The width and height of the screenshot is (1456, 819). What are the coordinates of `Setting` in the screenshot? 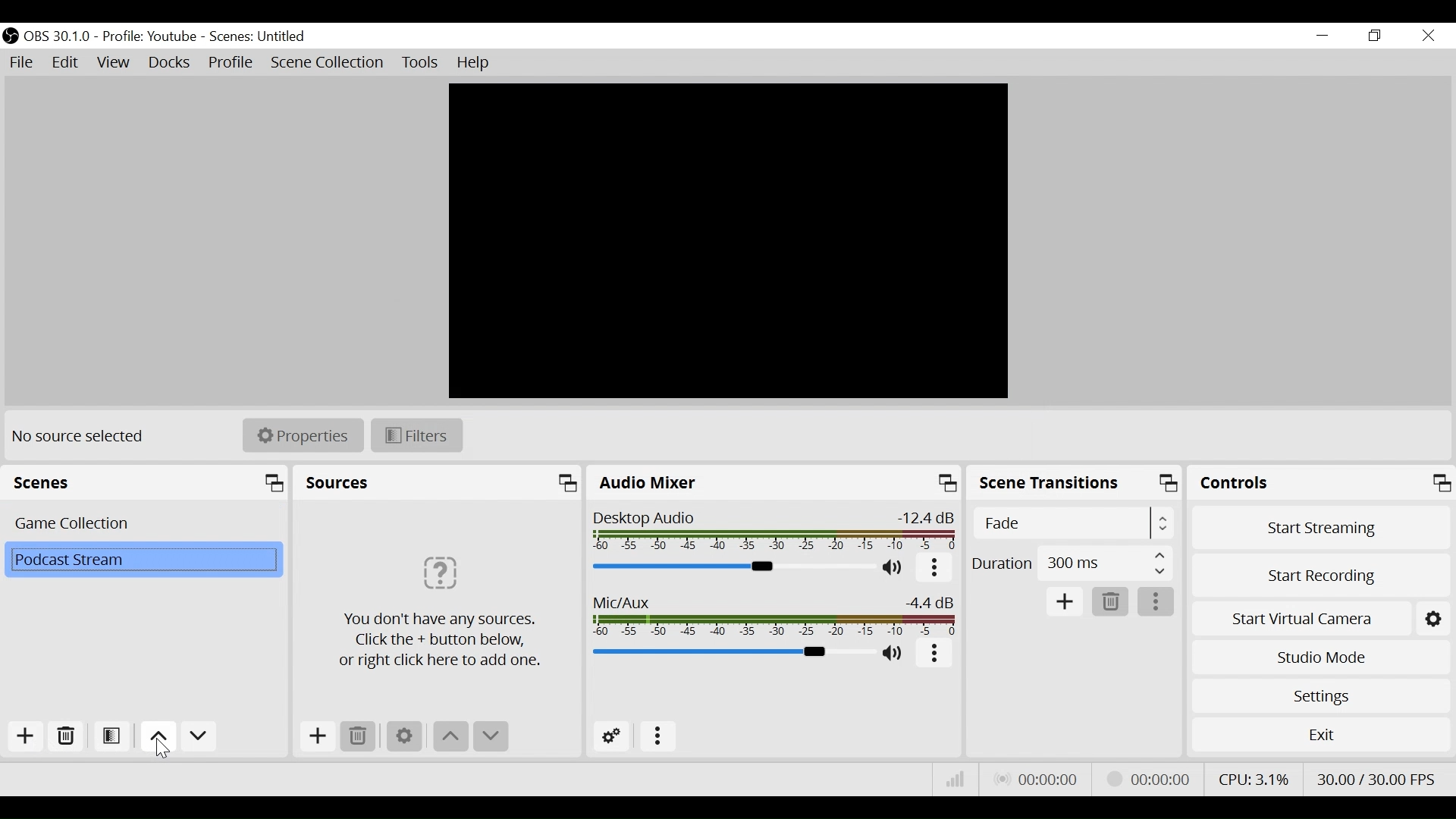 It's located at (1434, 616).